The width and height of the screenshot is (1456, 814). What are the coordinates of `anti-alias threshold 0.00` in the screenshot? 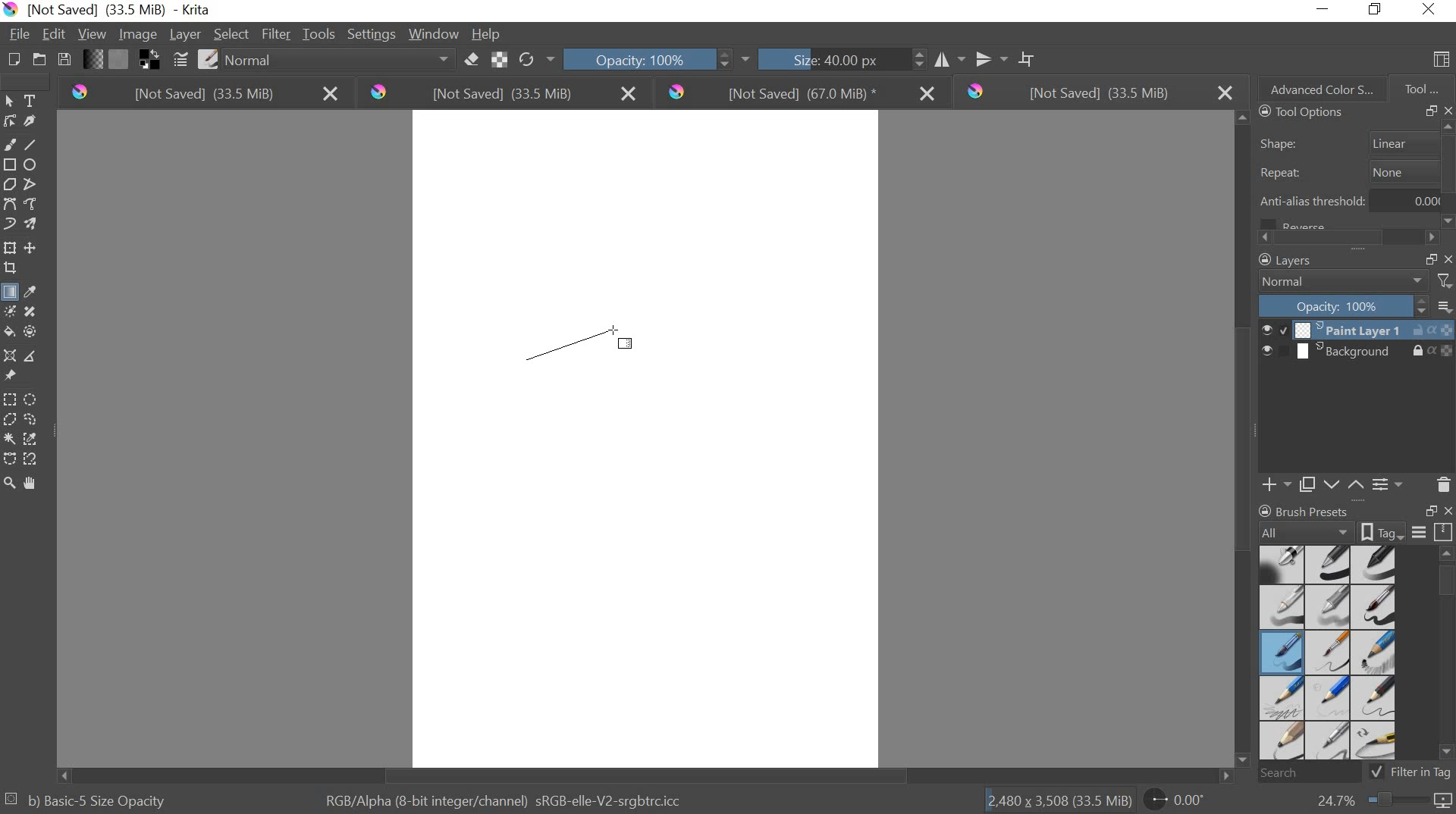 It's located at (1351, 205).